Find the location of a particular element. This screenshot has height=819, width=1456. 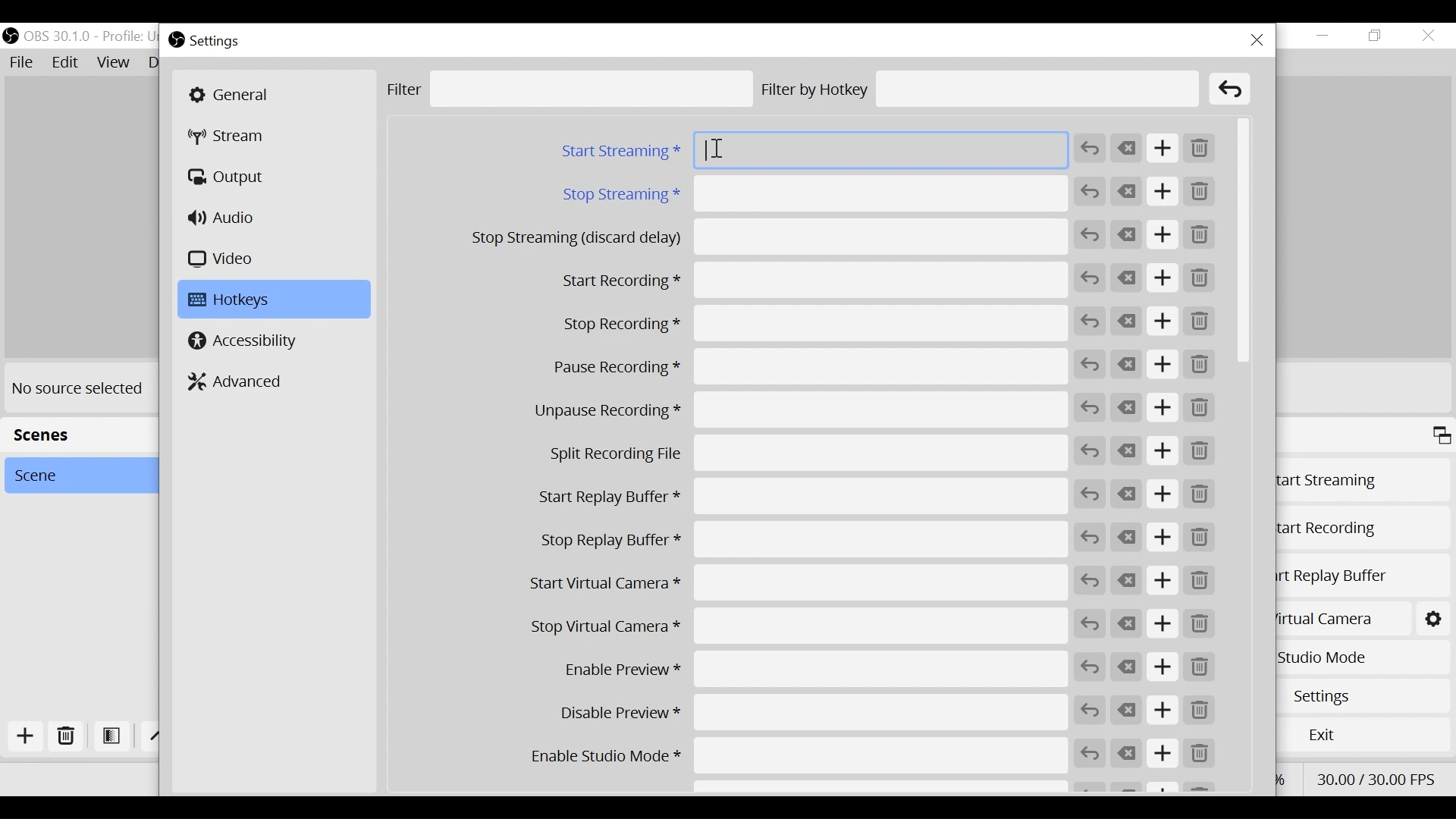

Remove is located at coordinates (1199, 192).